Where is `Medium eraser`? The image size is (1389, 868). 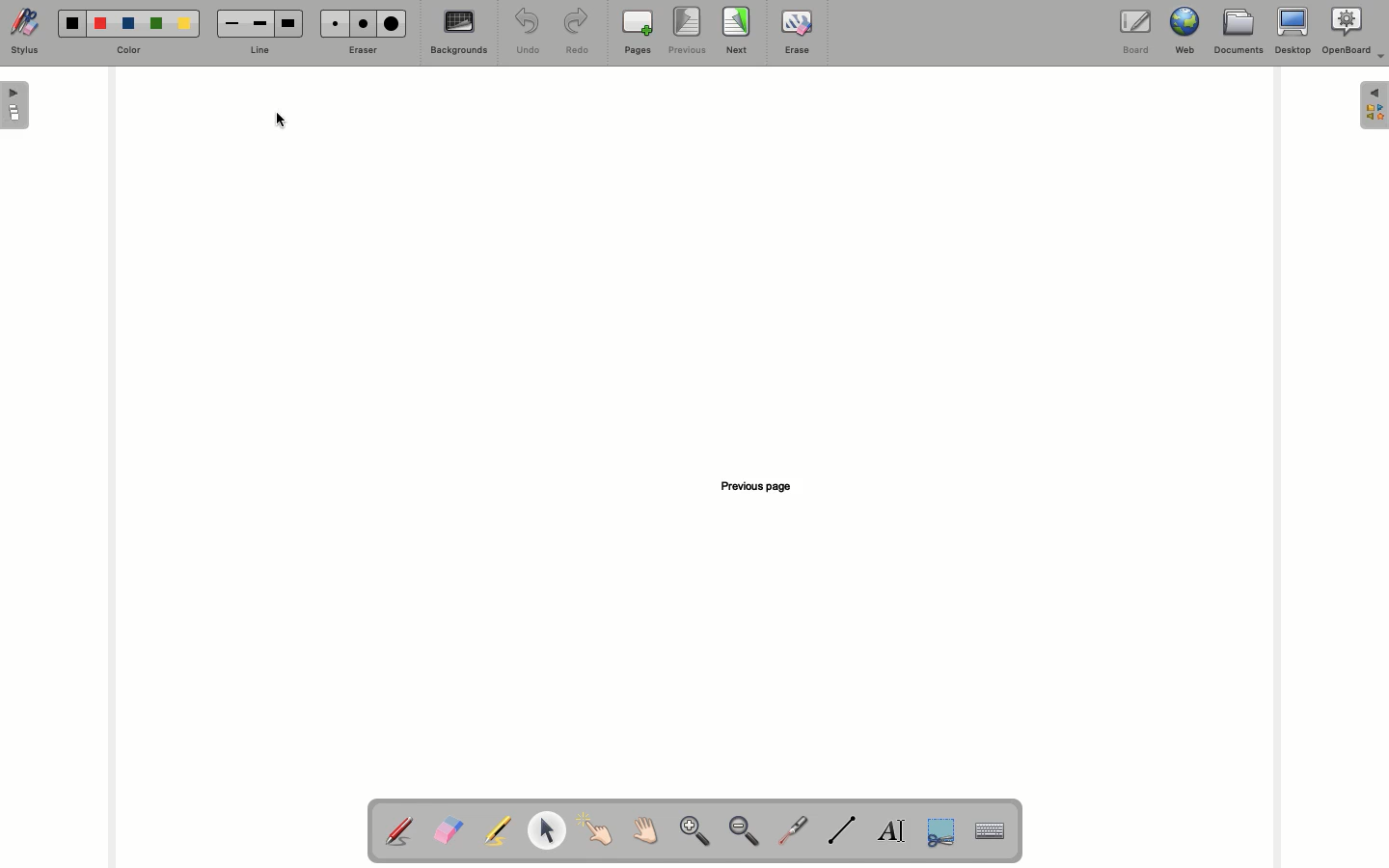
Medium eraser is located at coordinates (360, 23).